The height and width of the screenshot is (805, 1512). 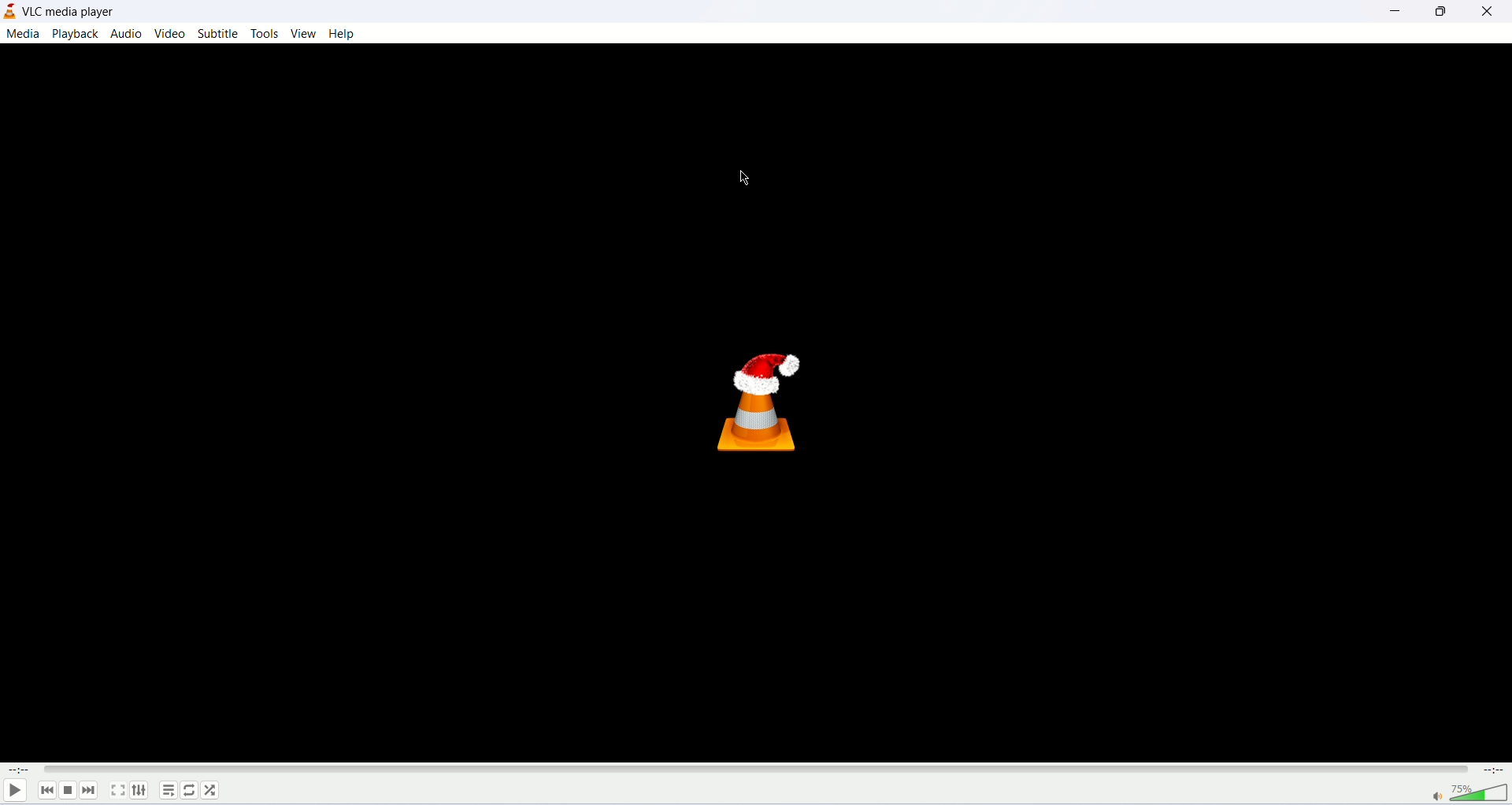 I want to click on subtitle, so click(x=220, y=33).